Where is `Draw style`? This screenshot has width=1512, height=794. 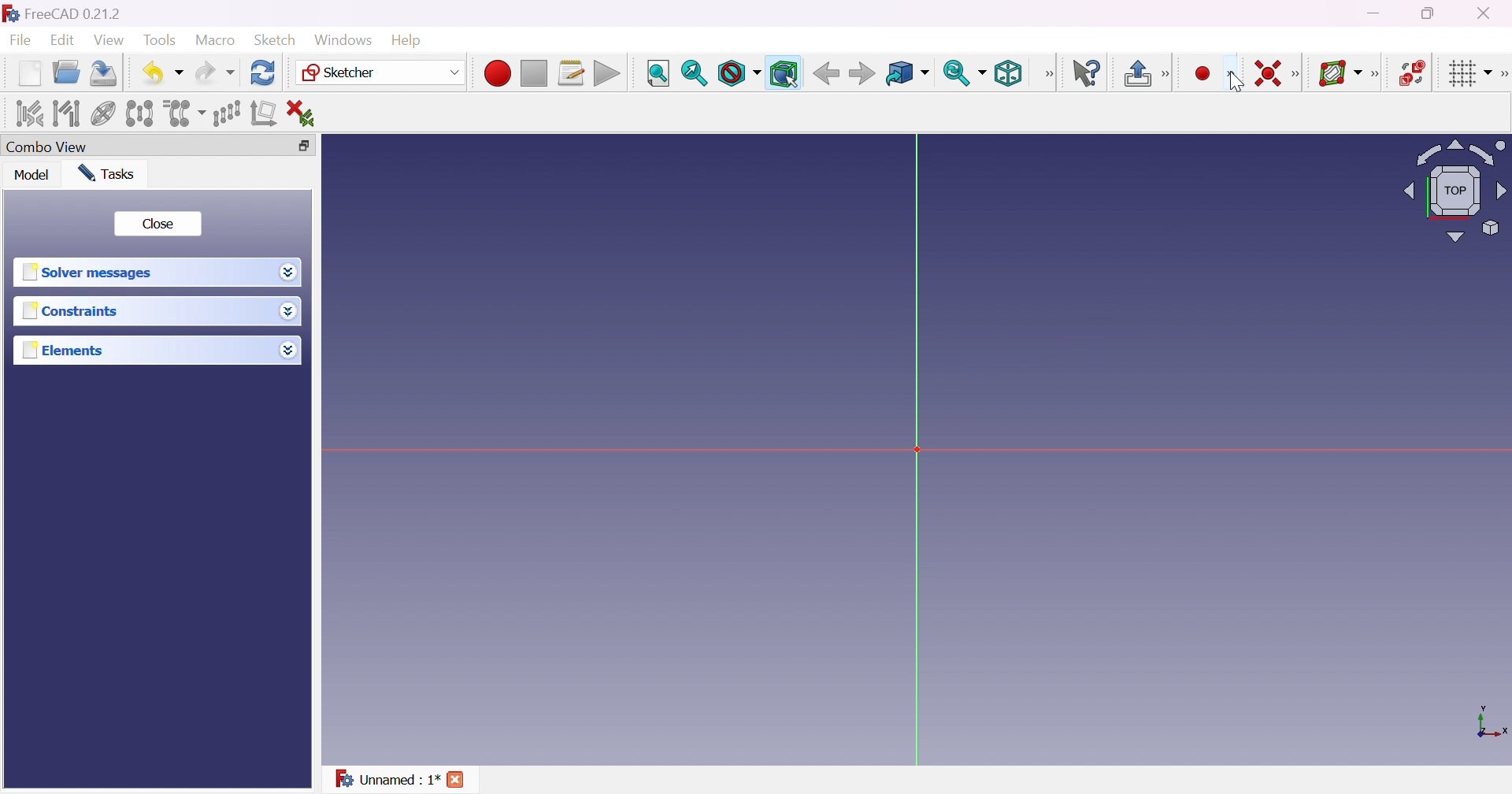 Draw style is located at coordinates (740, 74).